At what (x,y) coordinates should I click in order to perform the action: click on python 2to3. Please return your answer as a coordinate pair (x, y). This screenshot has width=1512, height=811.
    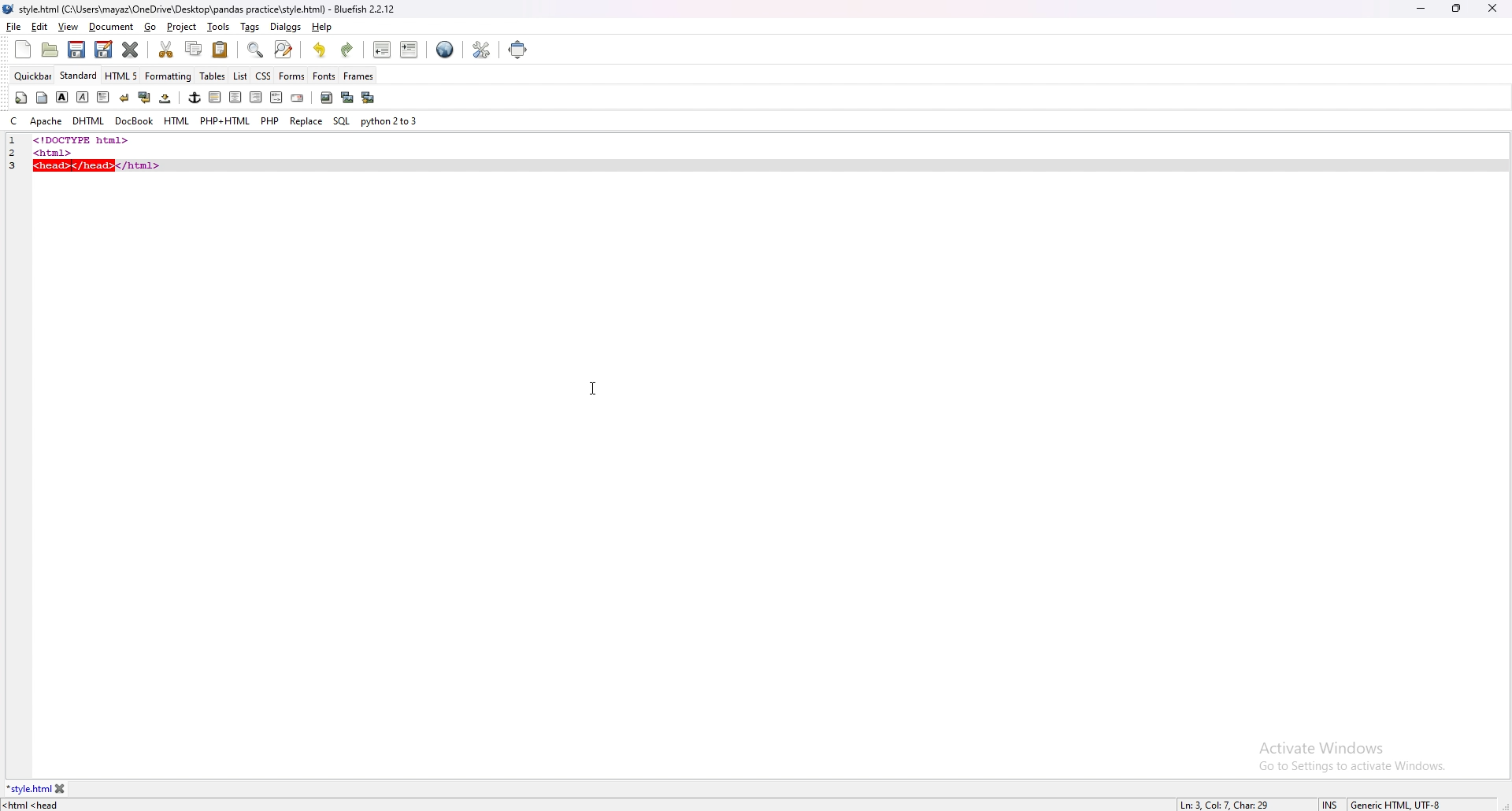
    Looking at the image, I should click on (391, 121).